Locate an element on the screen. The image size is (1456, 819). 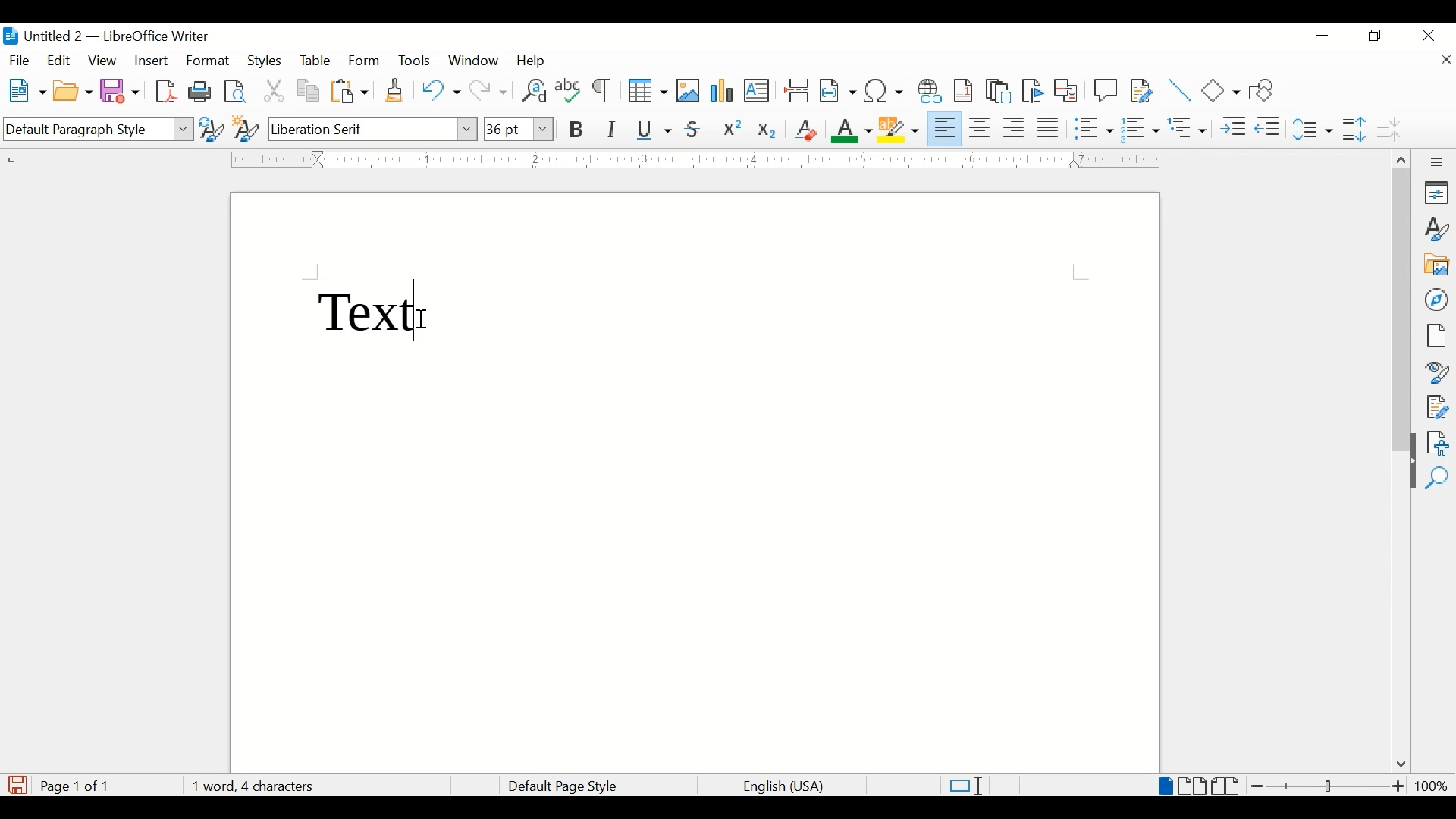
font color is located at coordinates (852, 130).